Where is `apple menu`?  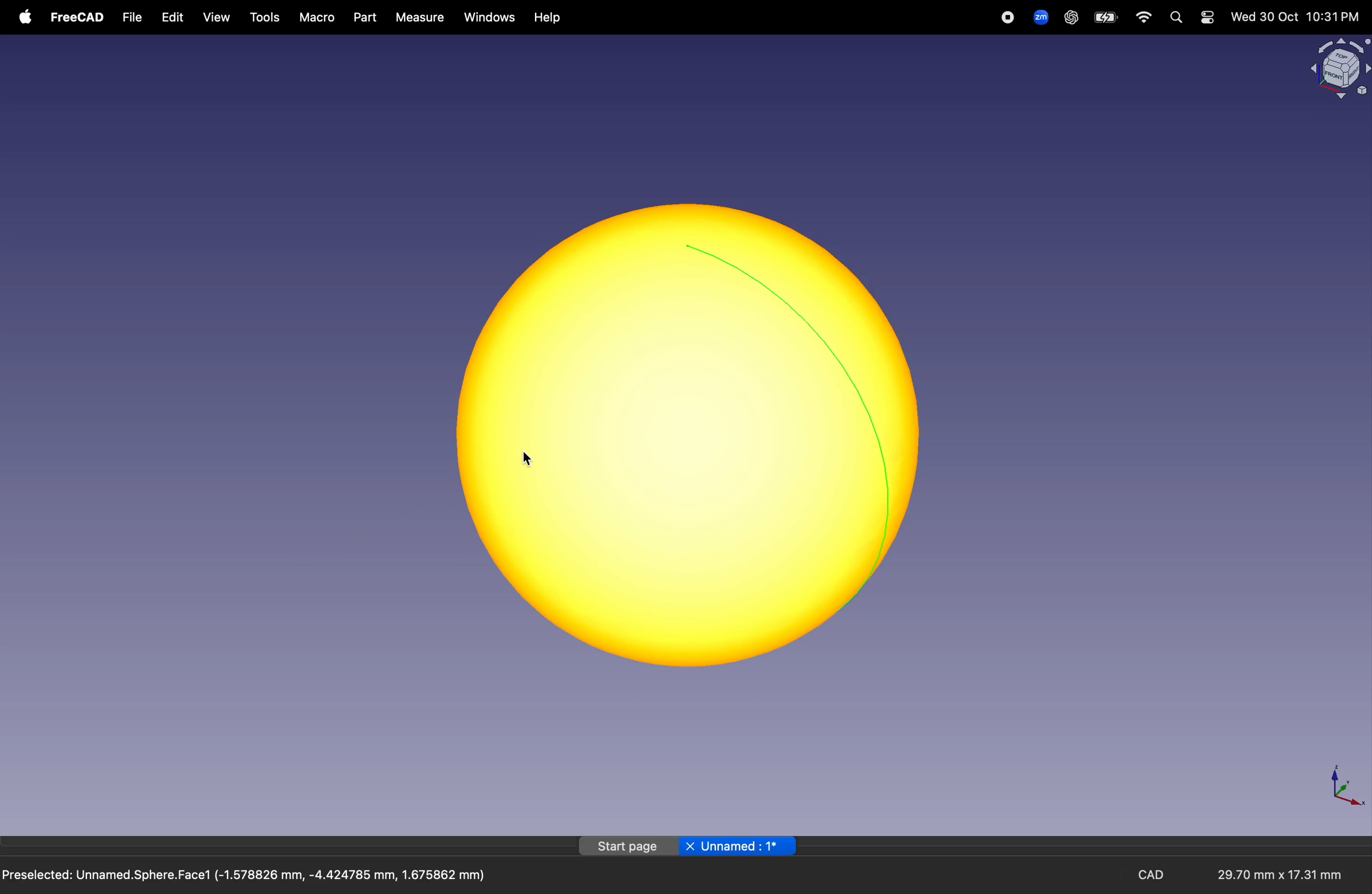 apple menu is located at coordinates (22, 17).